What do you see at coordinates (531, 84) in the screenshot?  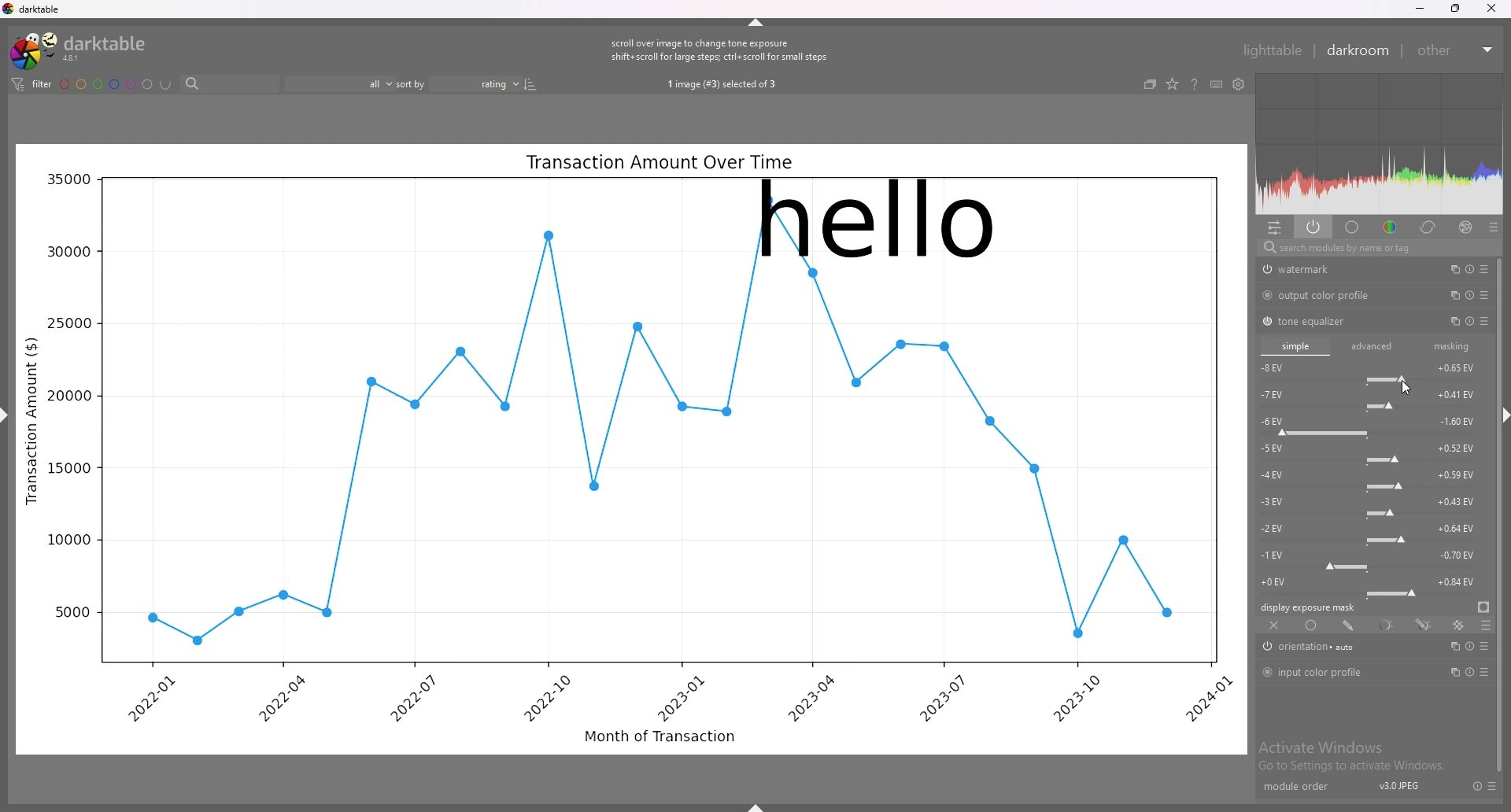 I see `reverse sort order` at bounding box center [531, 84].